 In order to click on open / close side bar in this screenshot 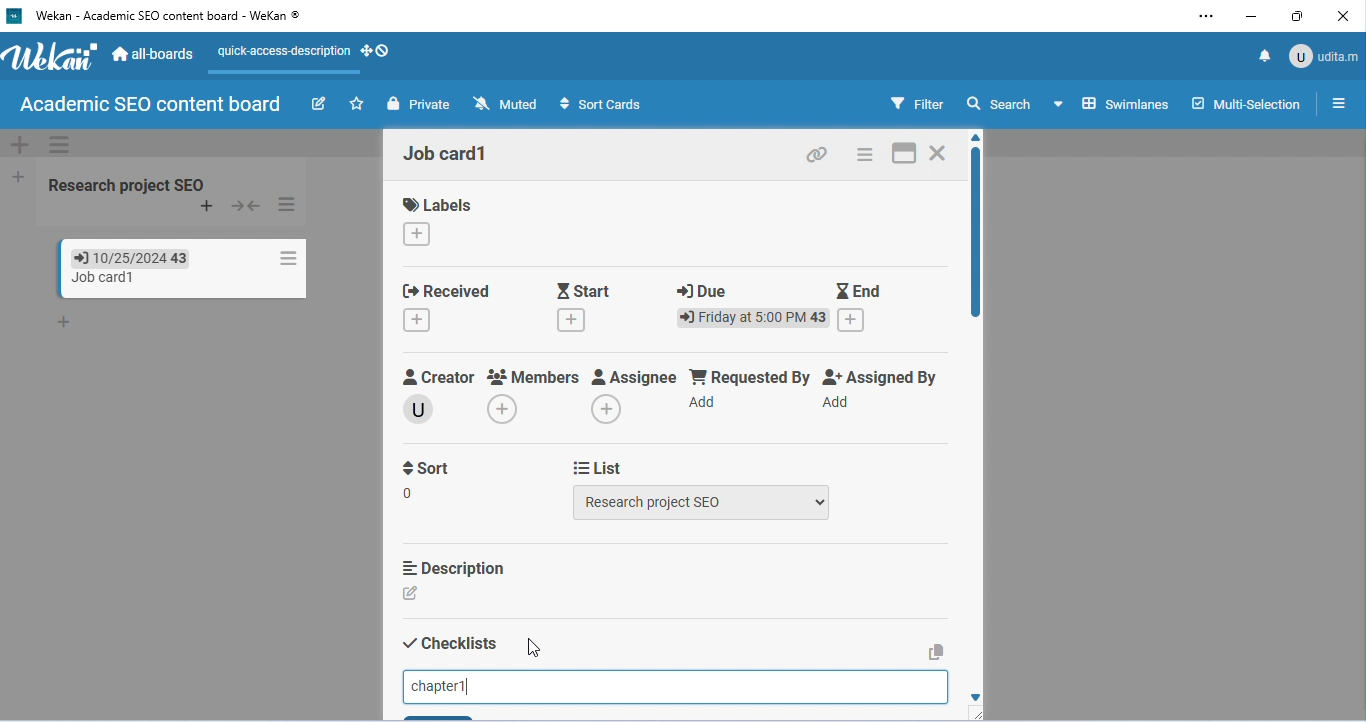, I will do `click(1337, 102)`.